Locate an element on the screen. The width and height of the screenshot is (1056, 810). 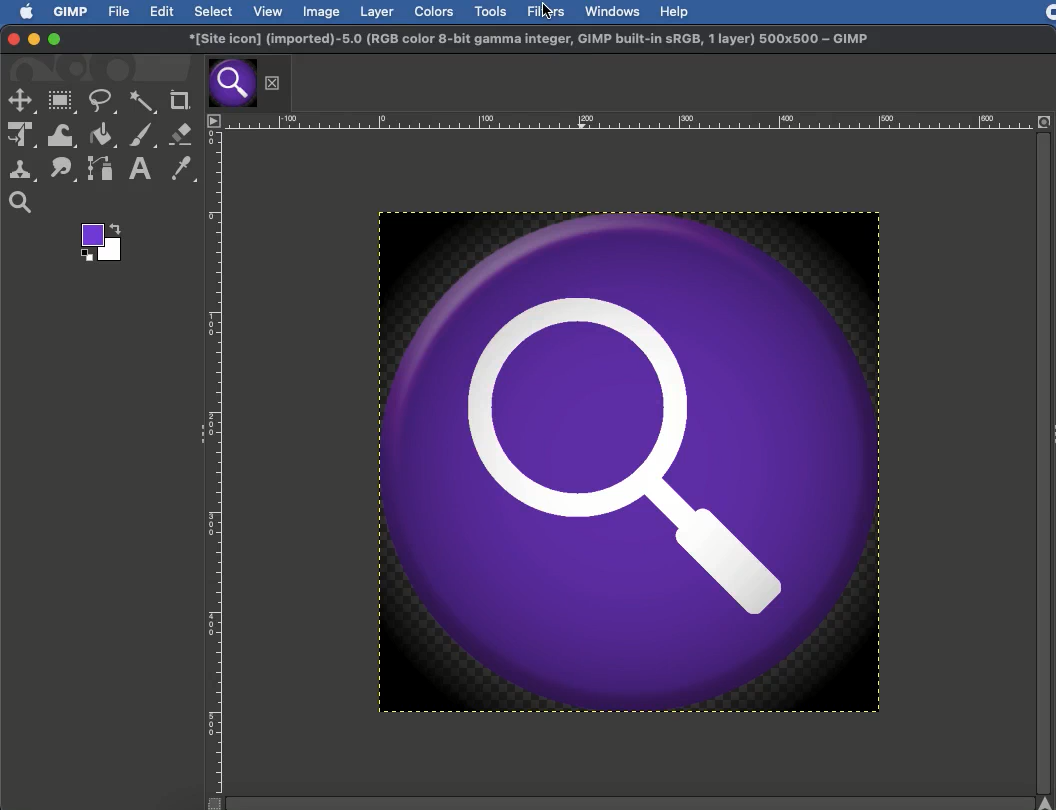
Fill color is located at coordinates (101, 136).